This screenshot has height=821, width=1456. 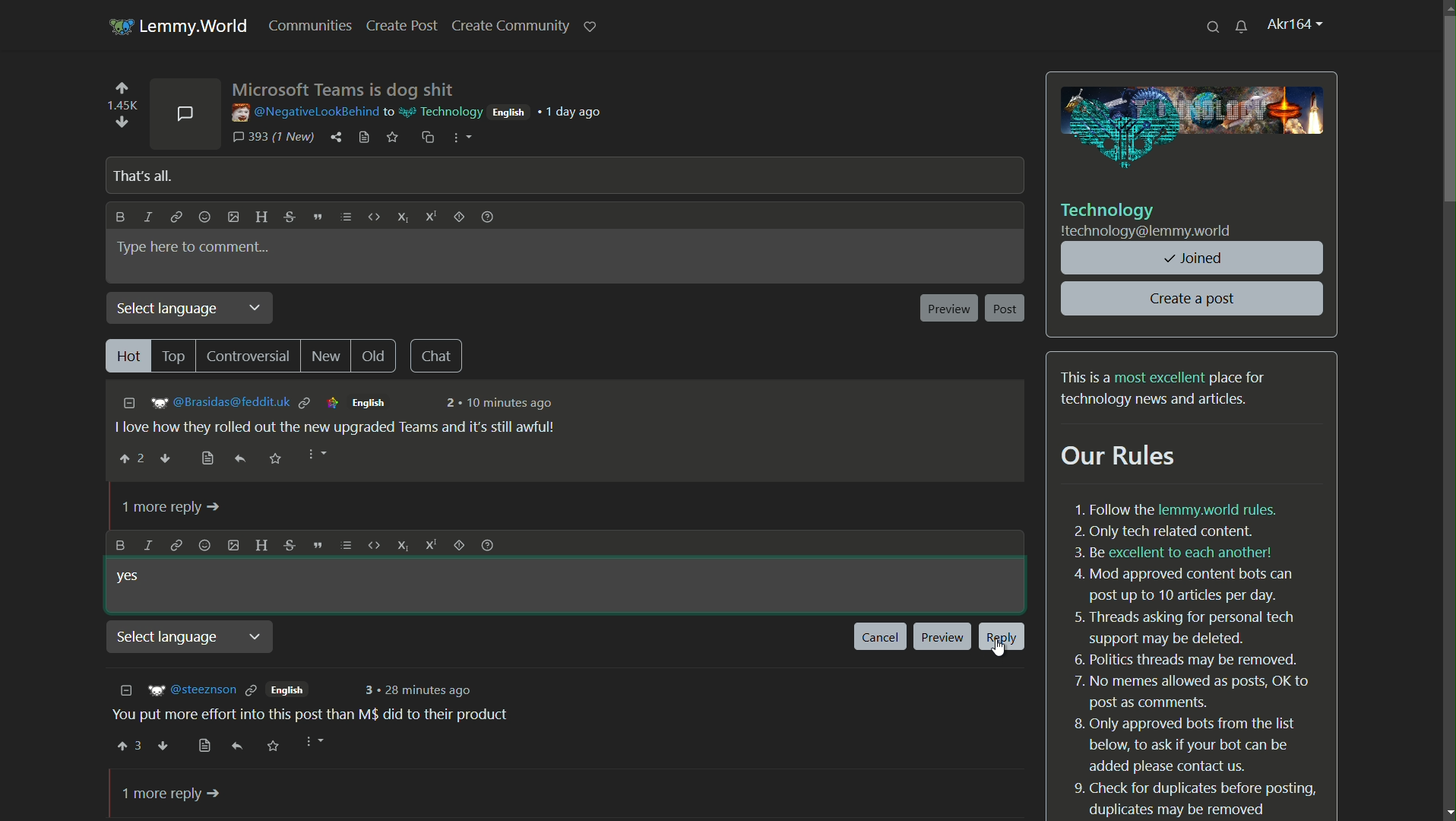 I want to click on strike through, so click(x=290, y=545).